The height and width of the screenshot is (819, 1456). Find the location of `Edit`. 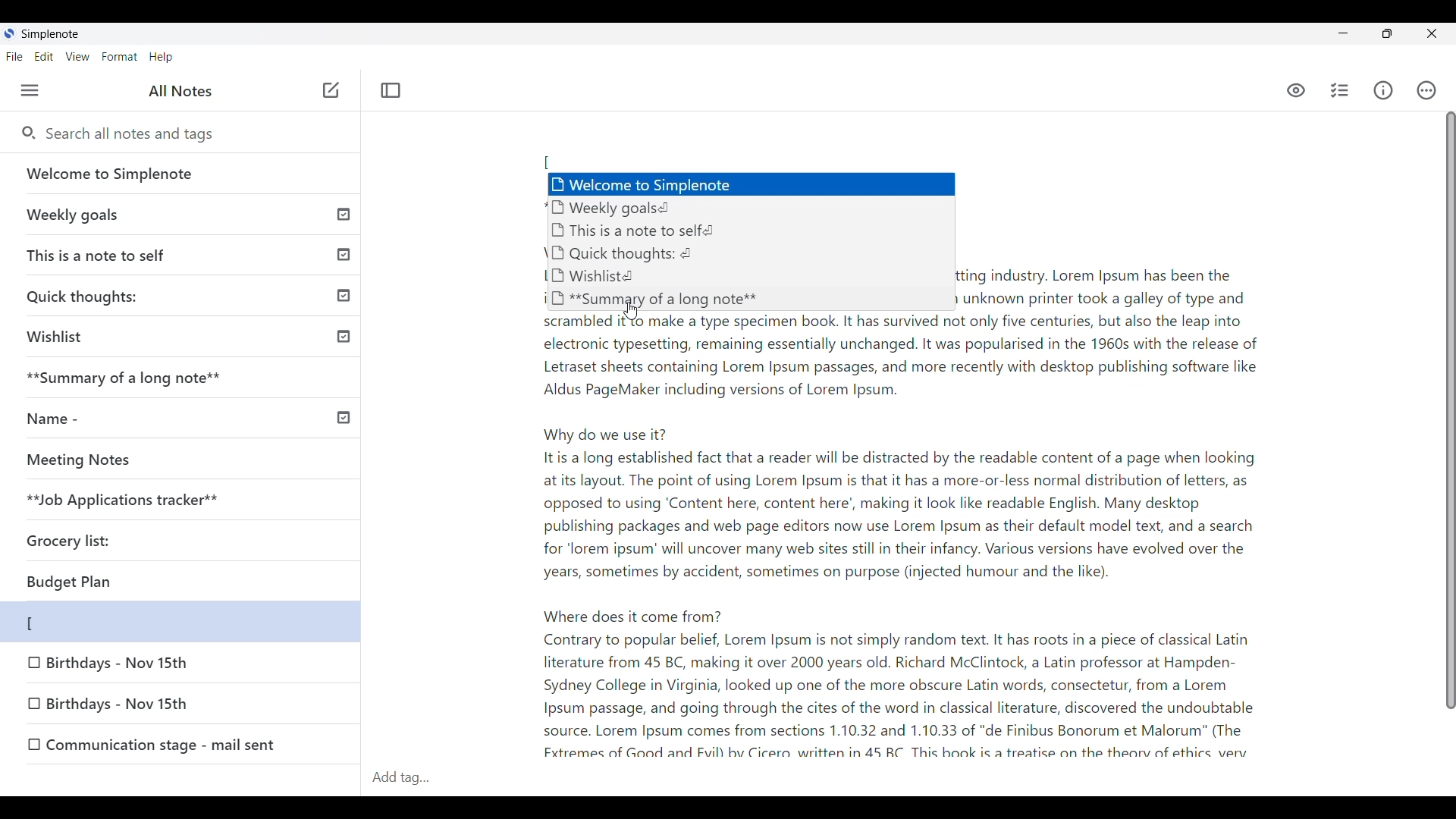

Edit is located at coordinates (44, 57).